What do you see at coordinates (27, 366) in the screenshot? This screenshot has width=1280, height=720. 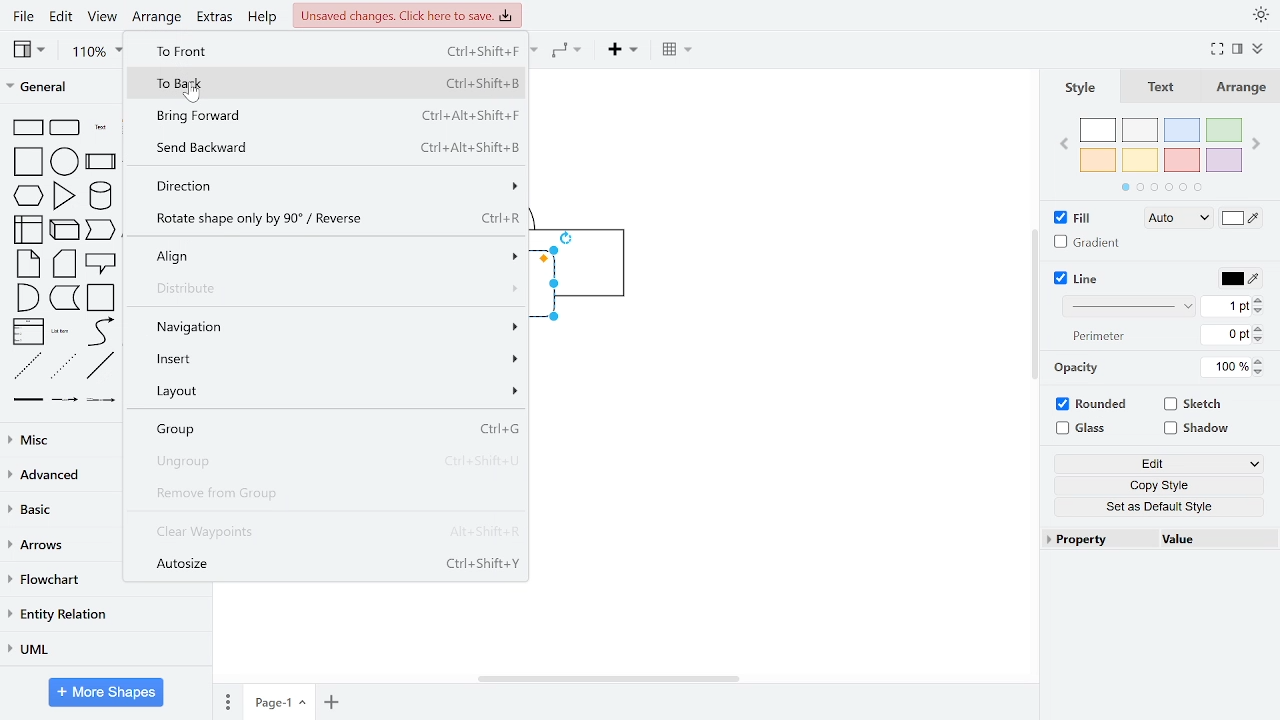 I see `dashed line` at bounding box center [27, 366].